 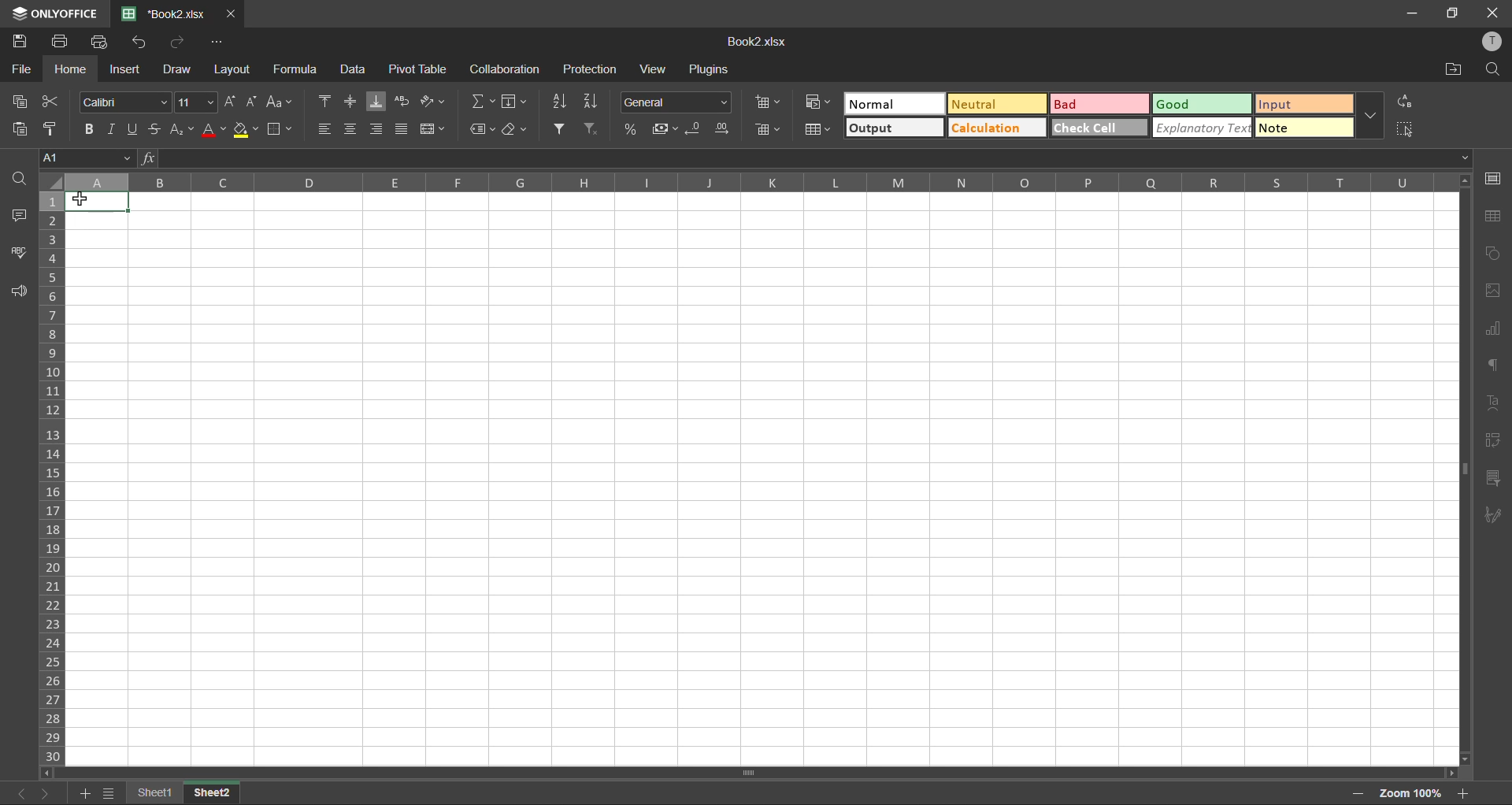 I want to click on align left, so click(x=325, y=129).